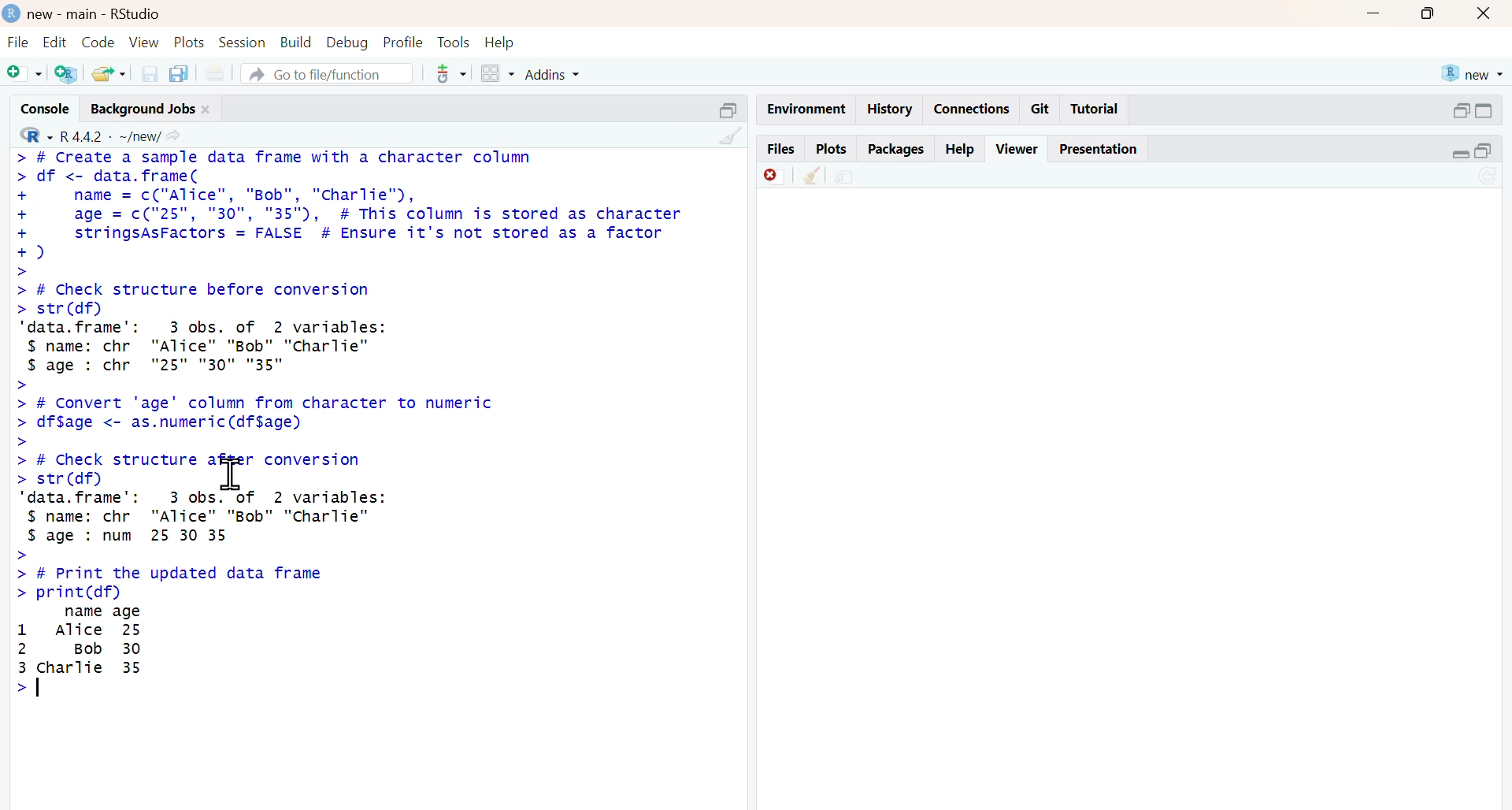  I want to click on expand/collapse, so click(1485, 110).